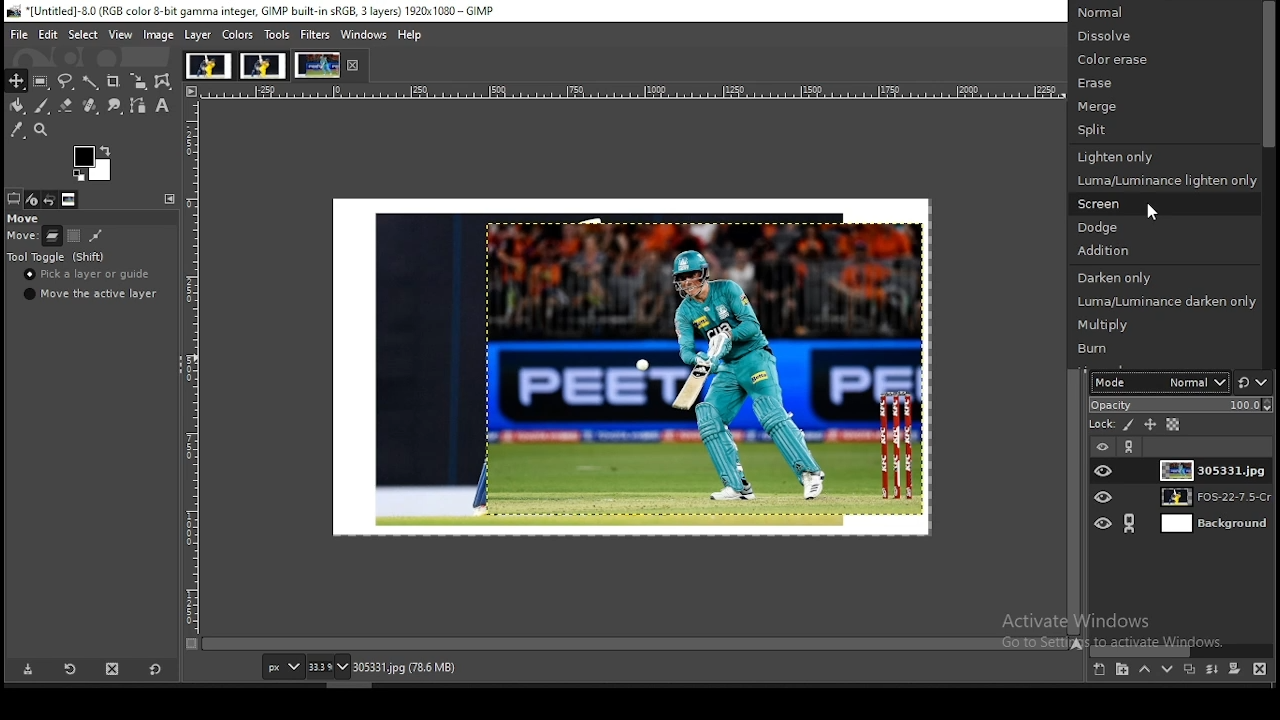 The height and width of the screenshot is (720, 1280). Describe the element at coordinates (365, 35) in the screenshot. I see `windows` at that location.